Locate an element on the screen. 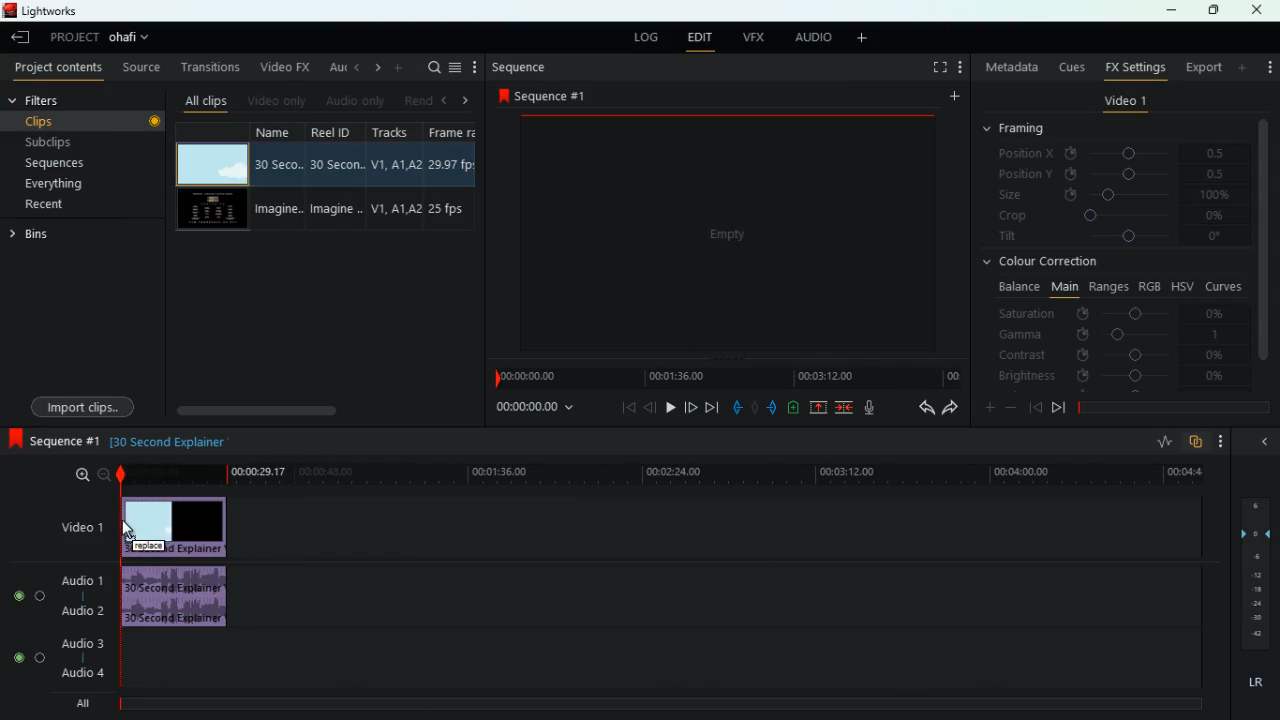  more is located at coordinates (866, 39).